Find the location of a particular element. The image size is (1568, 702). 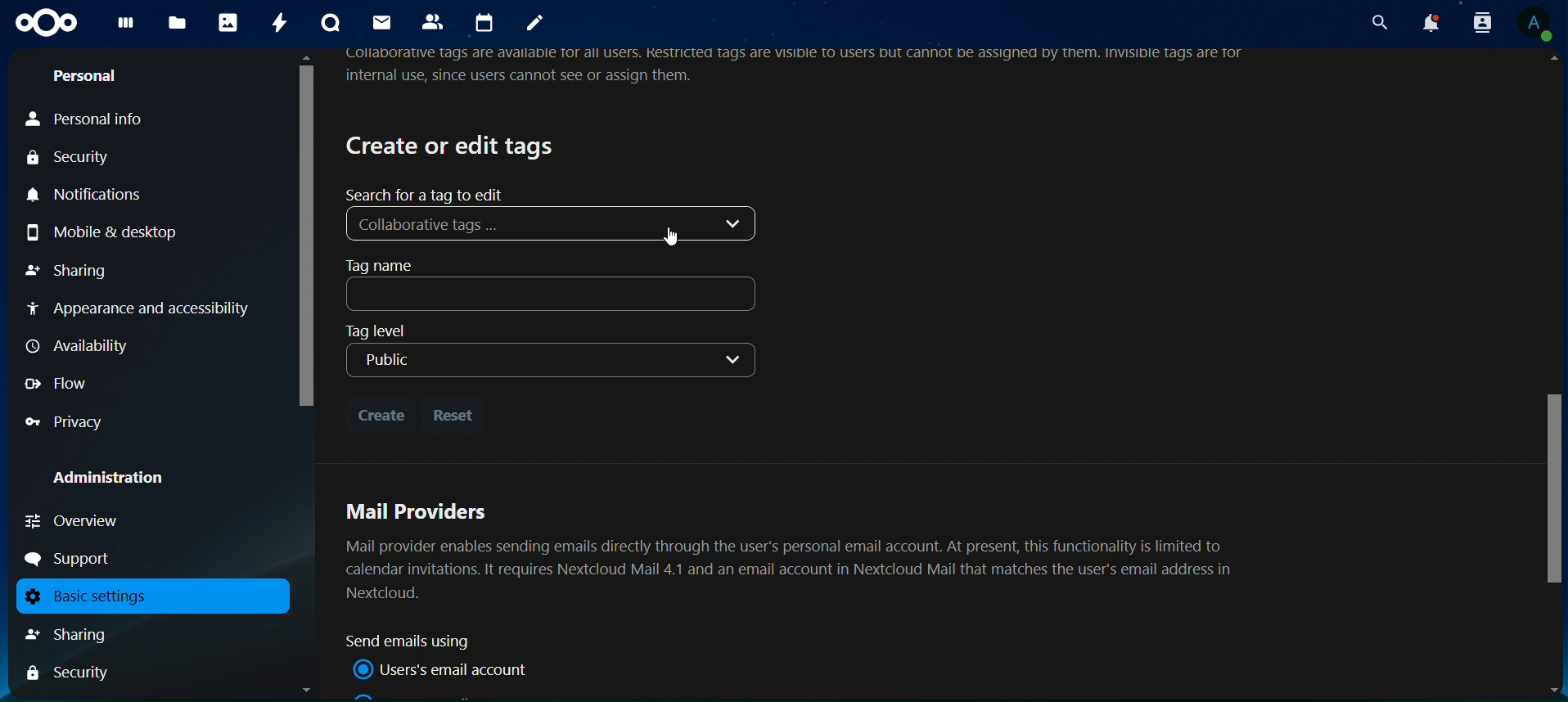

sand email using is located at coordinates (415, 641).